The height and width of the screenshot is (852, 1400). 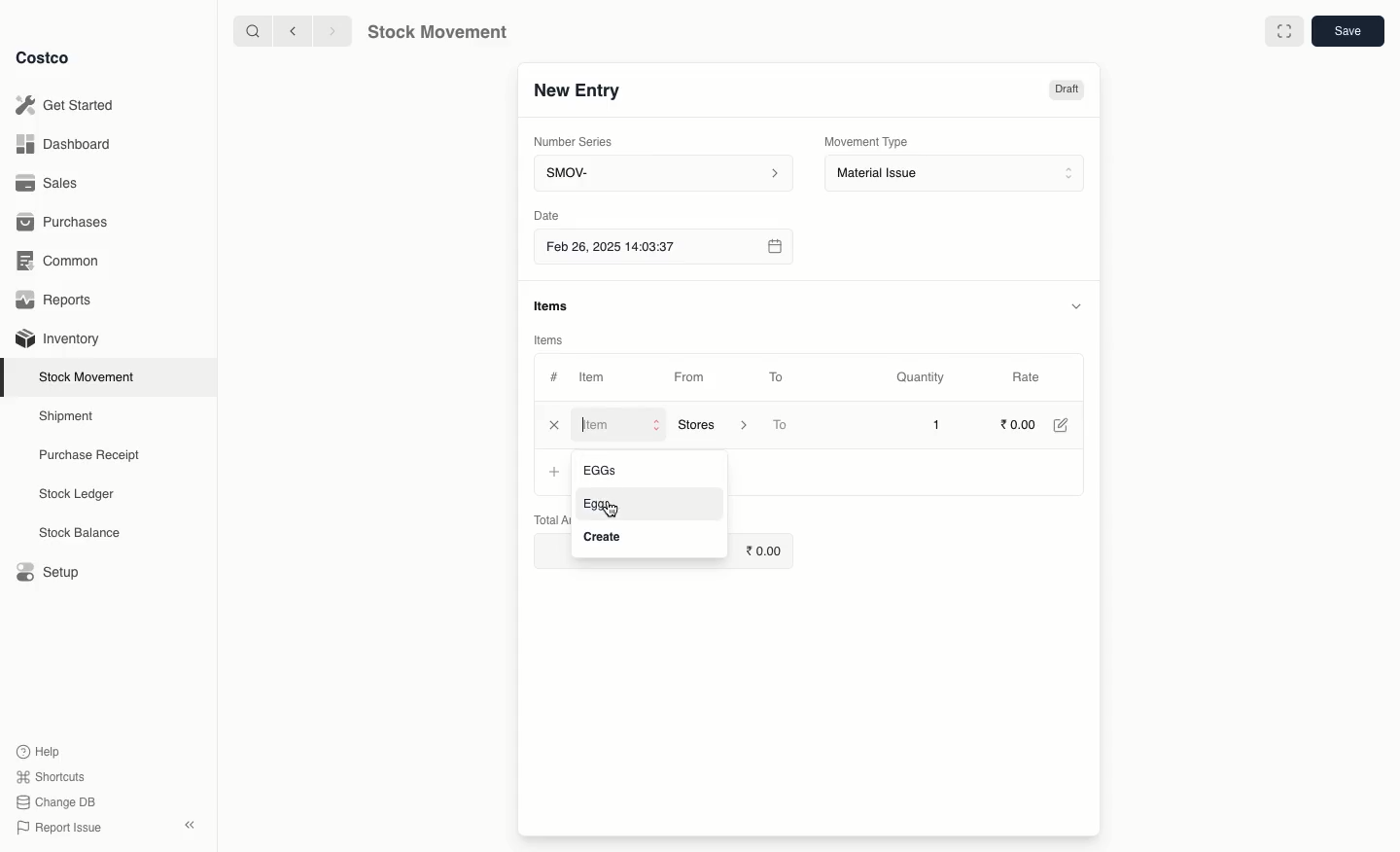 What do you see at coordinates (255, 32) in the screenshot?
I see `search` at bounding box center [255, 32].